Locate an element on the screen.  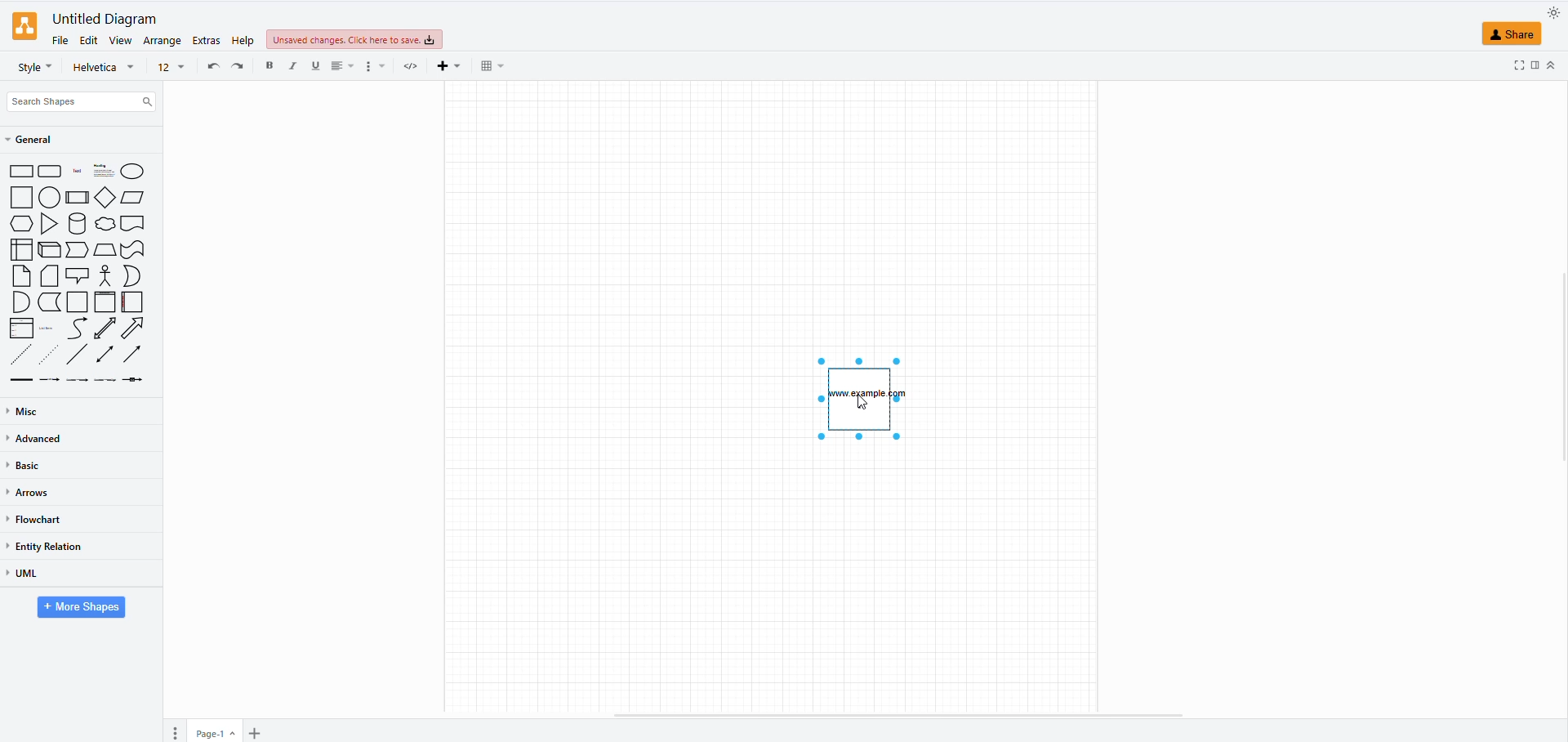
internal storage is located at coordinates (22, 249).